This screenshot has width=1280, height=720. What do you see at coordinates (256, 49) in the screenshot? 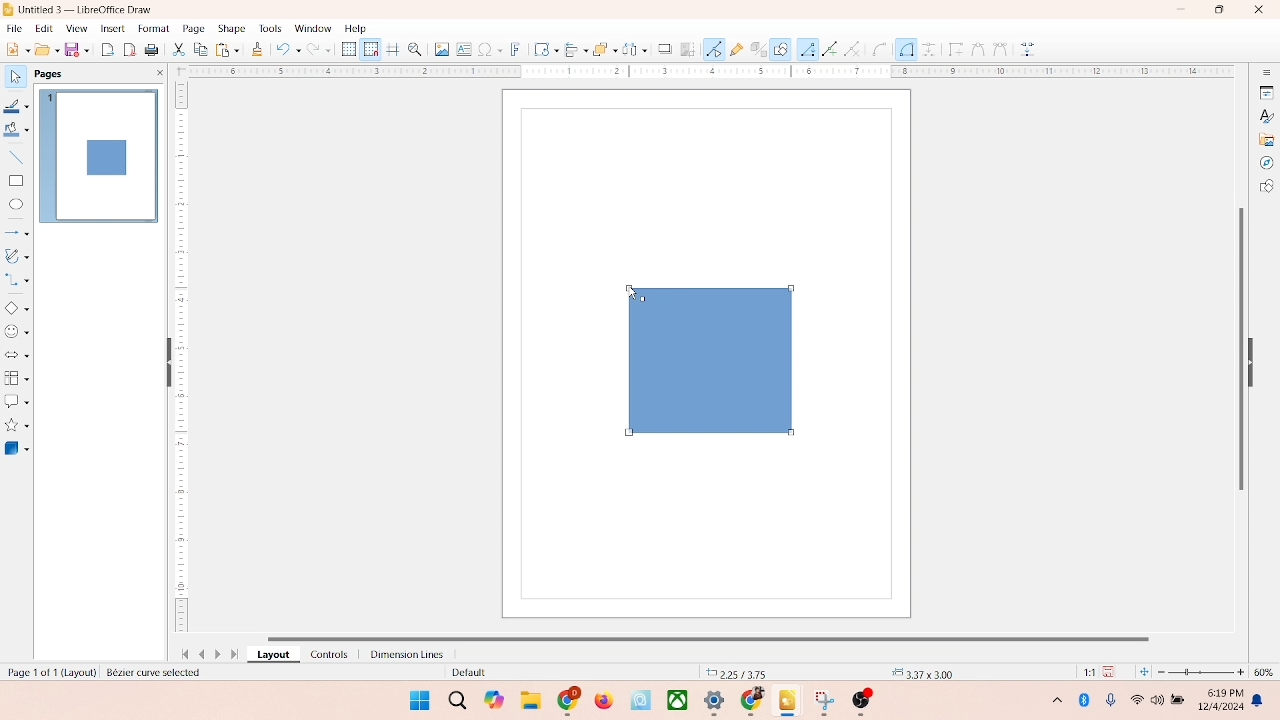
I see `clone formatting` at bounding box center [256, 49].